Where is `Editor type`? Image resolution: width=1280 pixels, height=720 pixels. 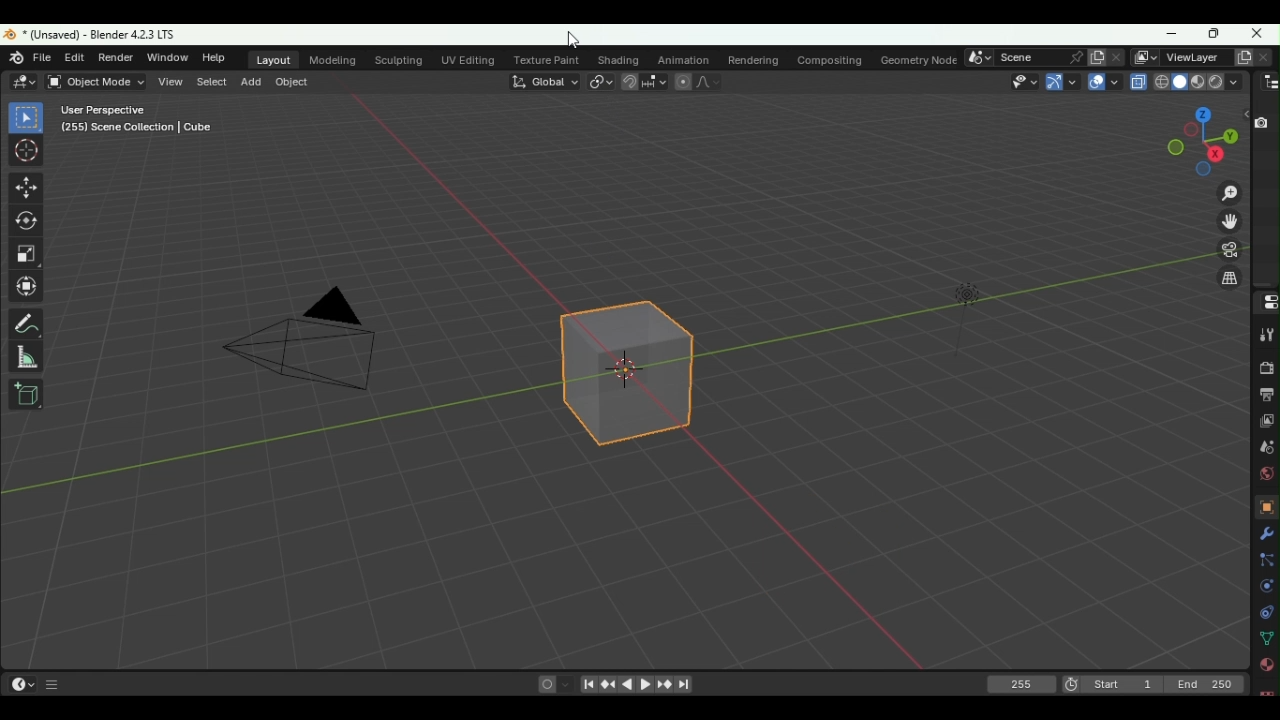 Editor type is located at coordinates (1270, 82).